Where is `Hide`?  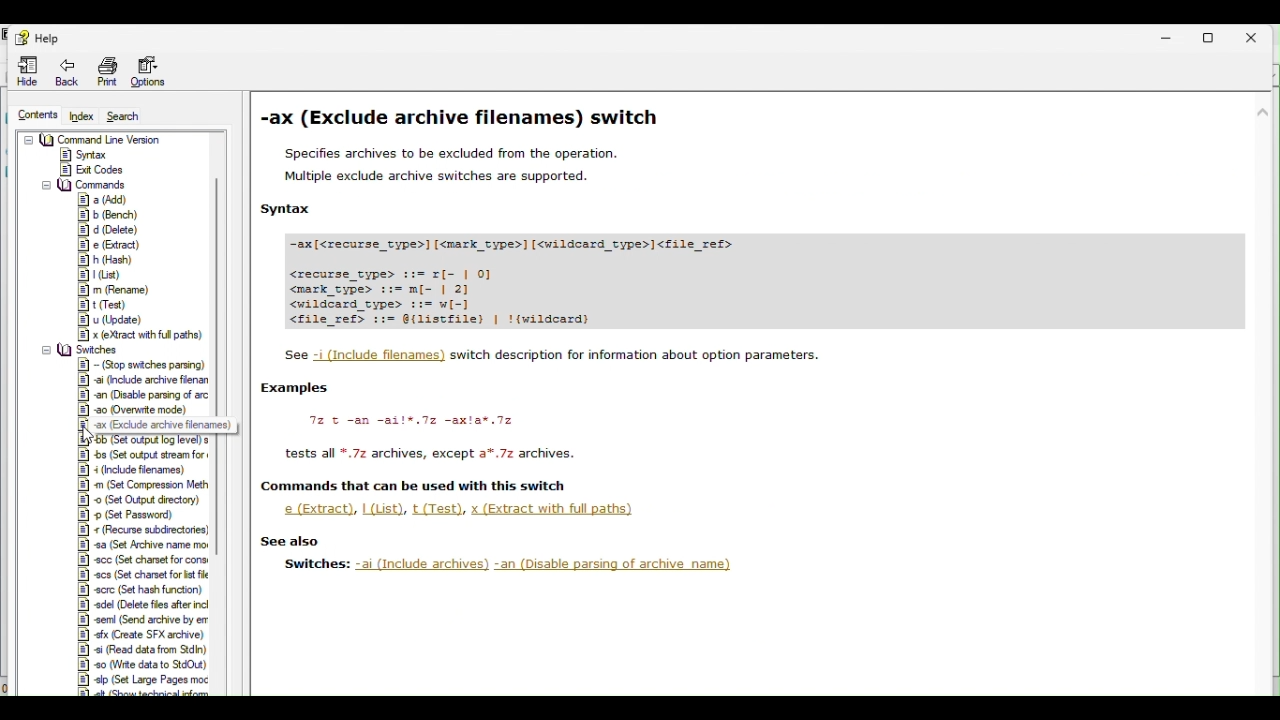 Hide is located at coordinates (19, 71).